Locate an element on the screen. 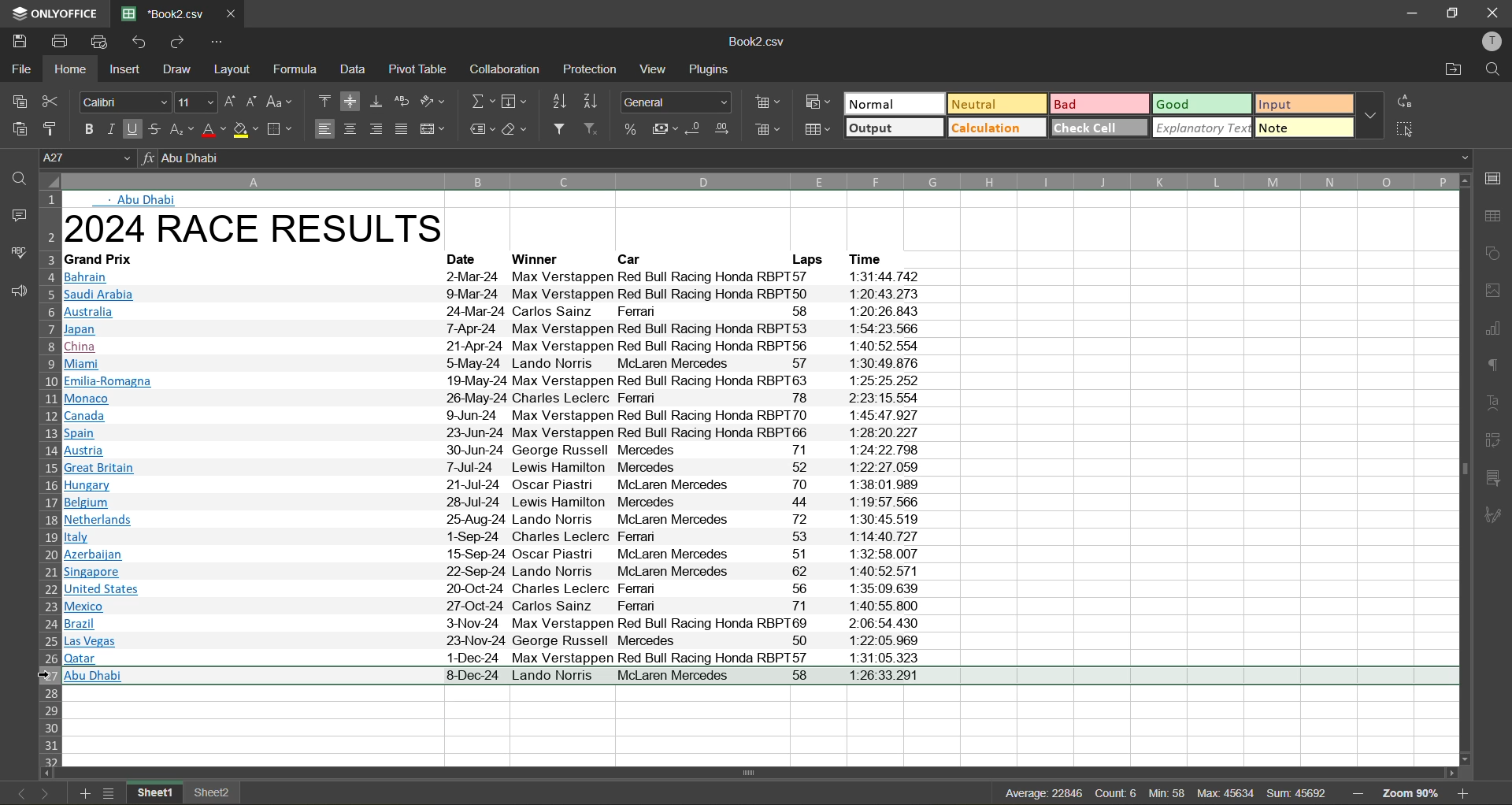 Image resolution: width=1512 pixels, height=805 pixels. font style is located at coordinates (123, 102).